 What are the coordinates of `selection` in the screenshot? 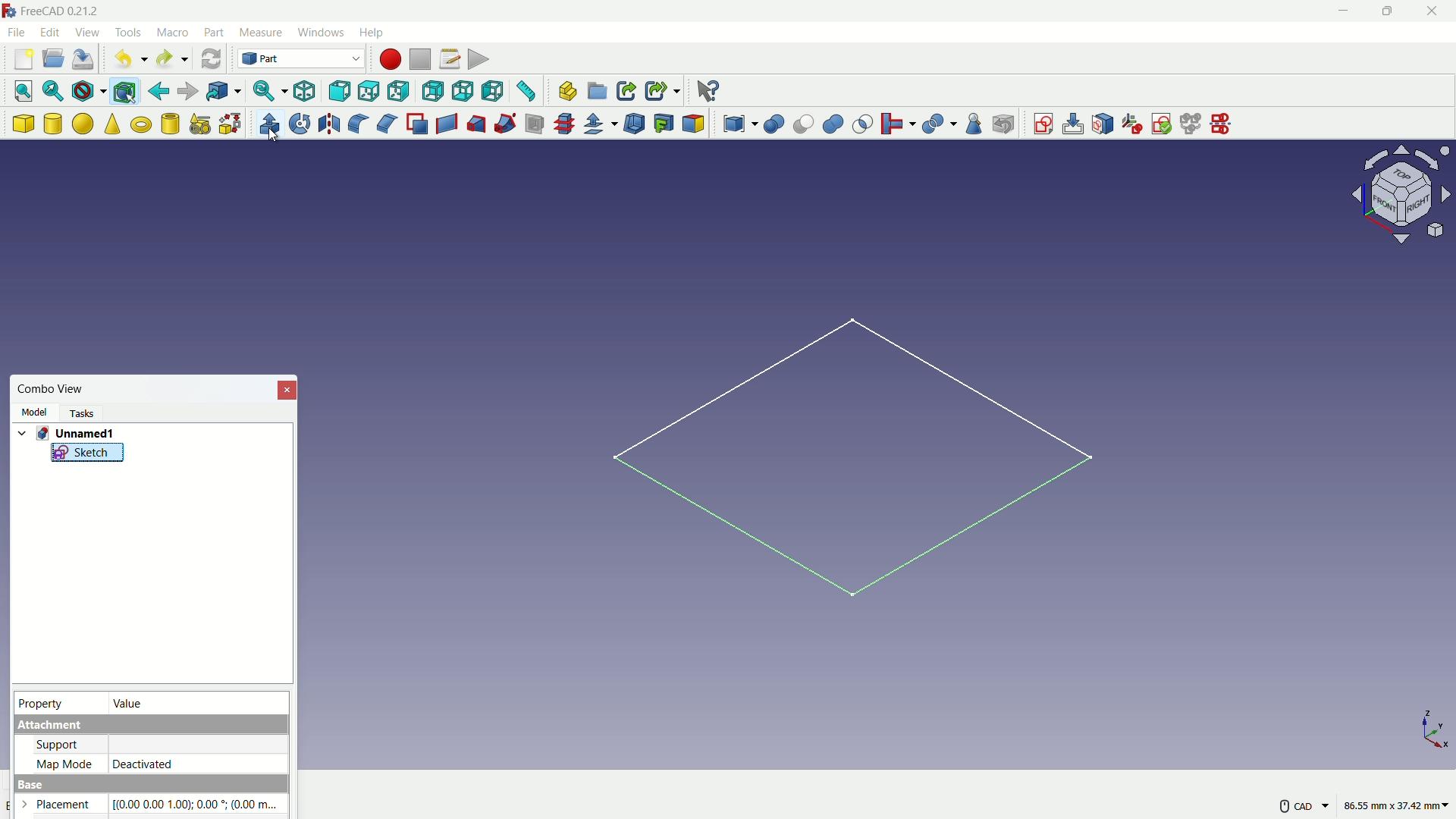 It's located at (863, 124).